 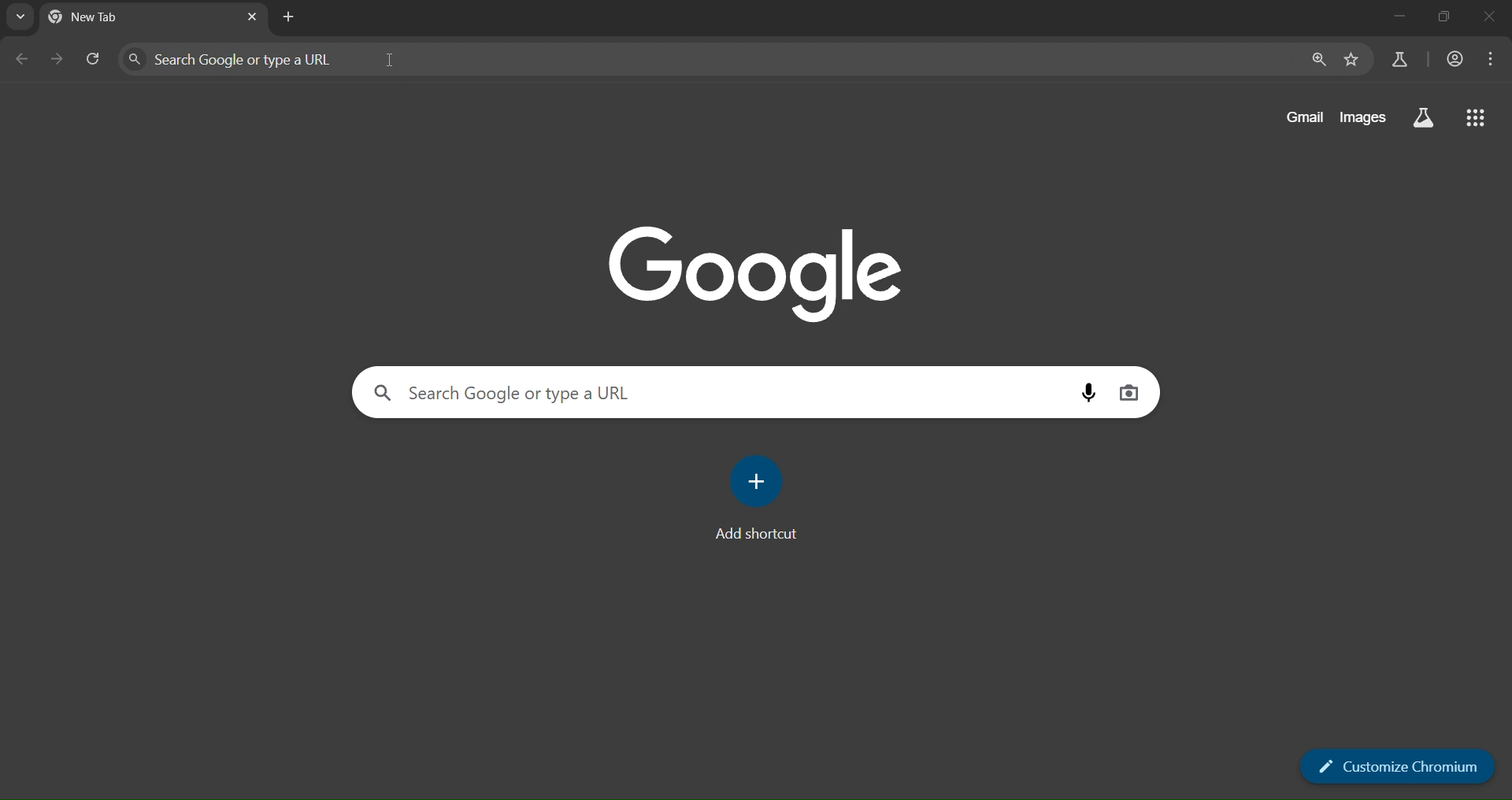 What do you see at coordinates (98, 59) in the screenshot?
I see `reload page` at bounding box center [98, 59].